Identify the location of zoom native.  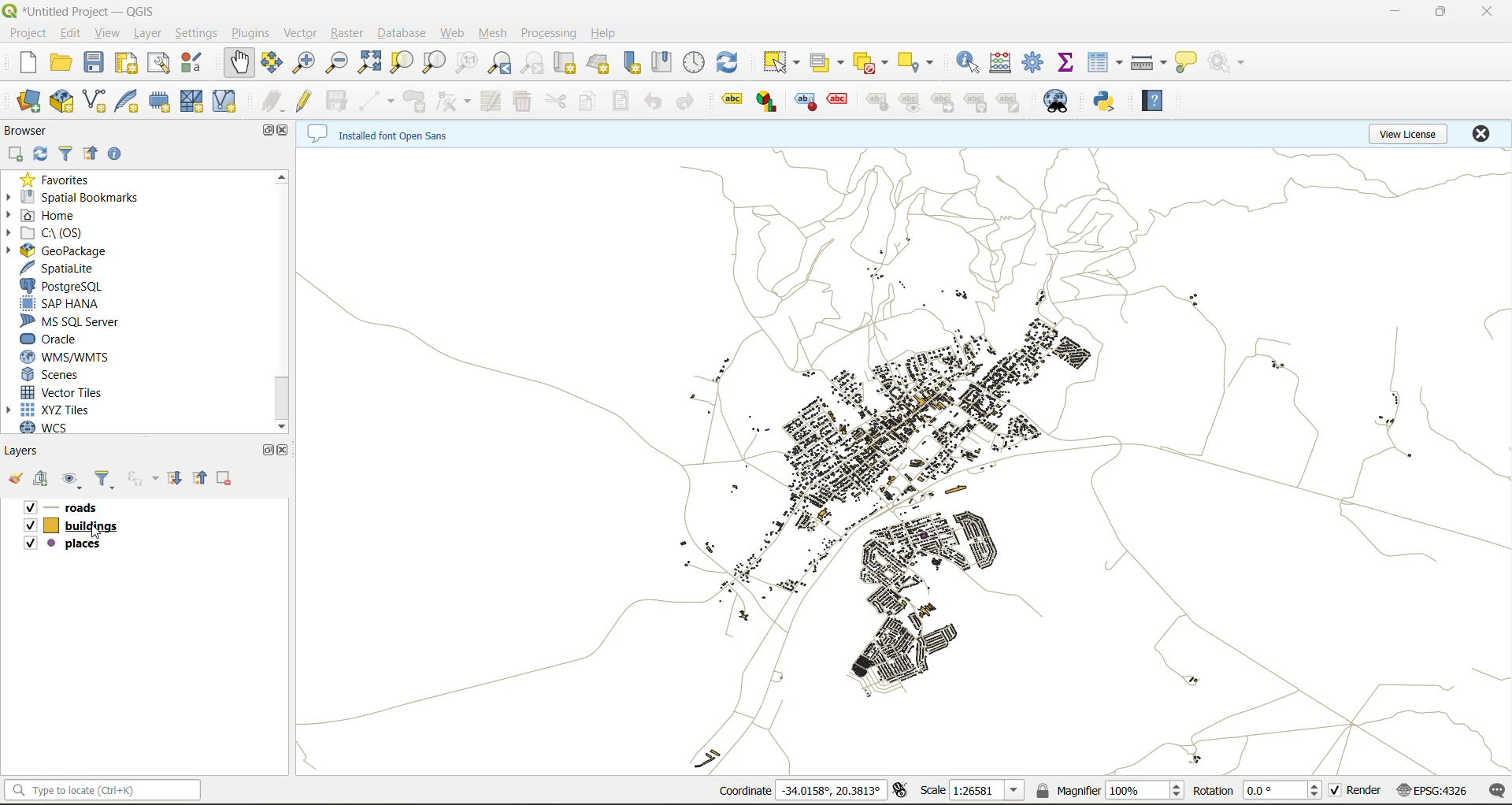
(468, 62).